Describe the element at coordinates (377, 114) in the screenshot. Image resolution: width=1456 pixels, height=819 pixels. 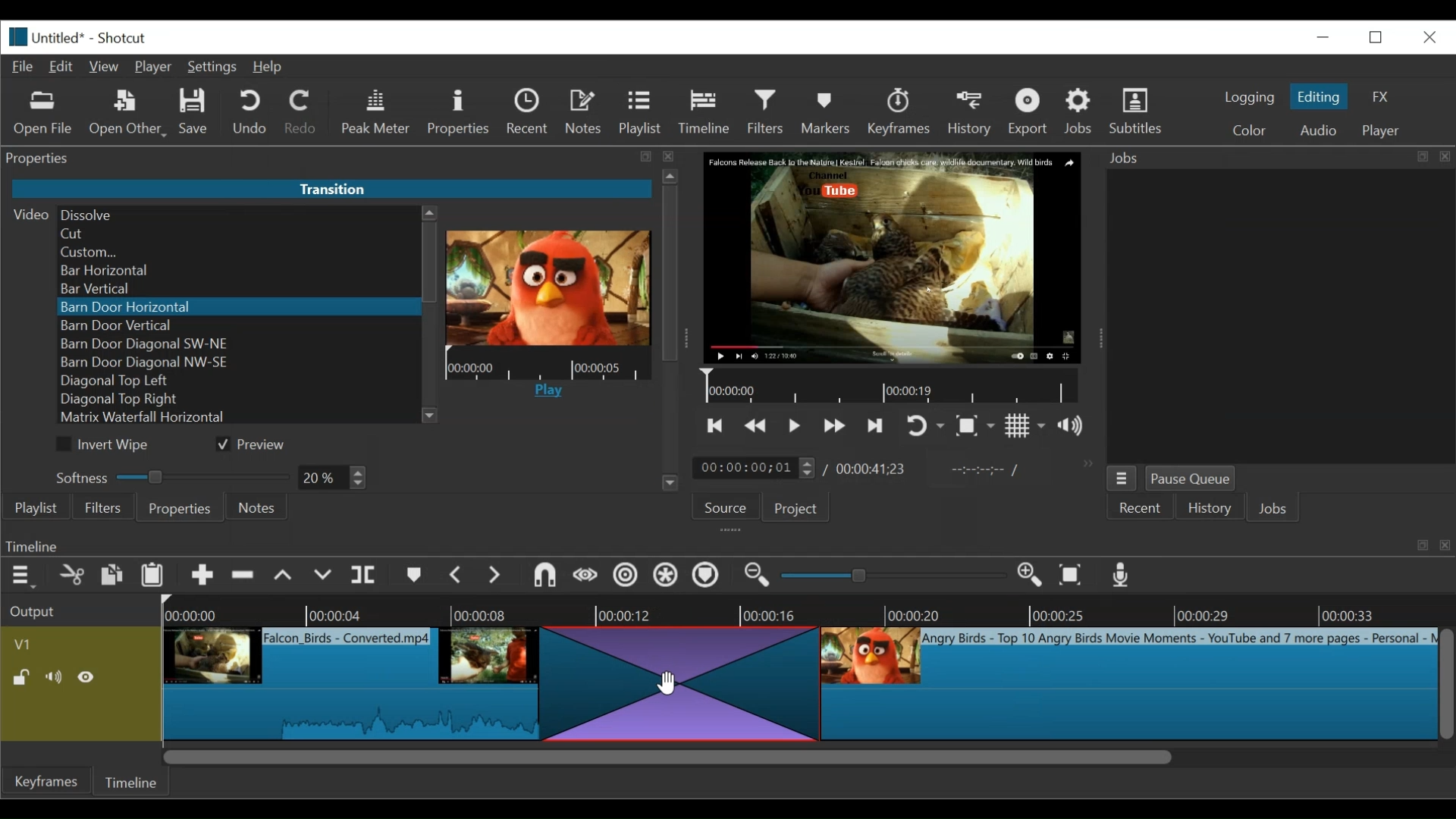
I see `Peak Meter` at that location.